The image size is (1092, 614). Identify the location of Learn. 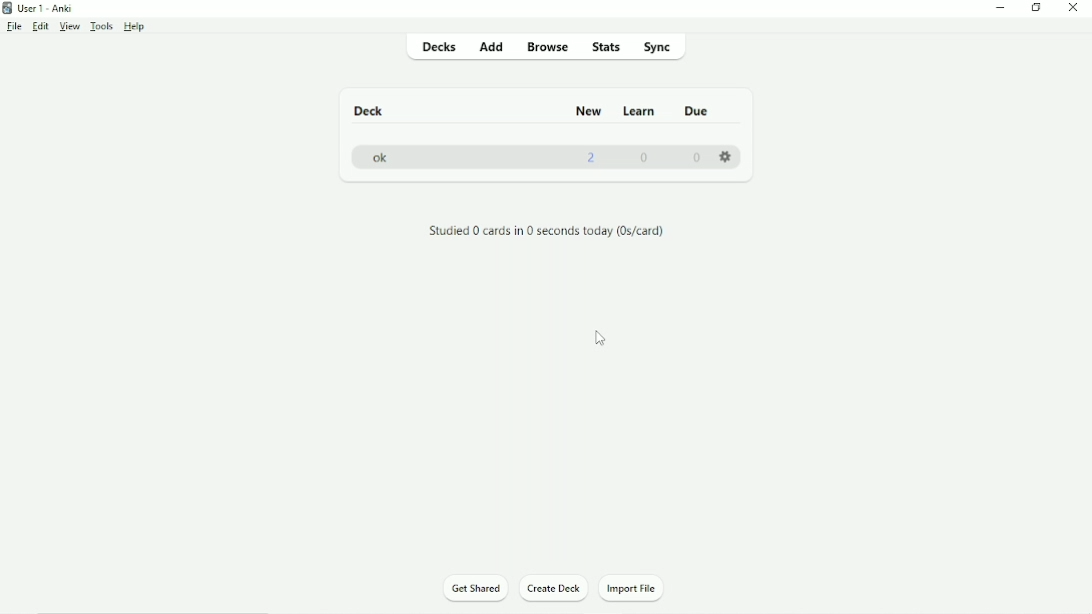
(641, 111).